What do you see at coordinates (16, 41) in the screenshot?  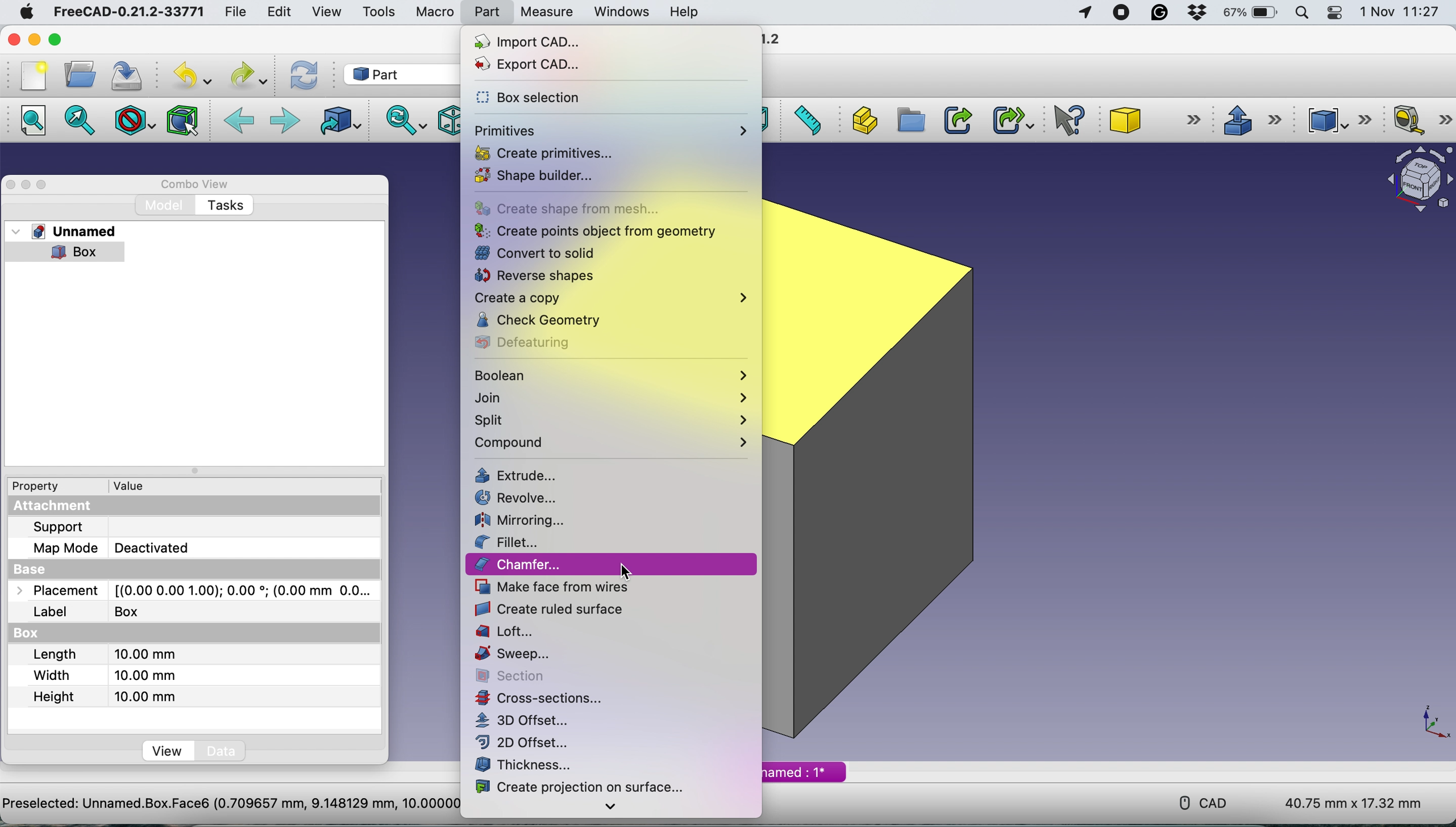 I see `close` at bounding box center [16, 41].